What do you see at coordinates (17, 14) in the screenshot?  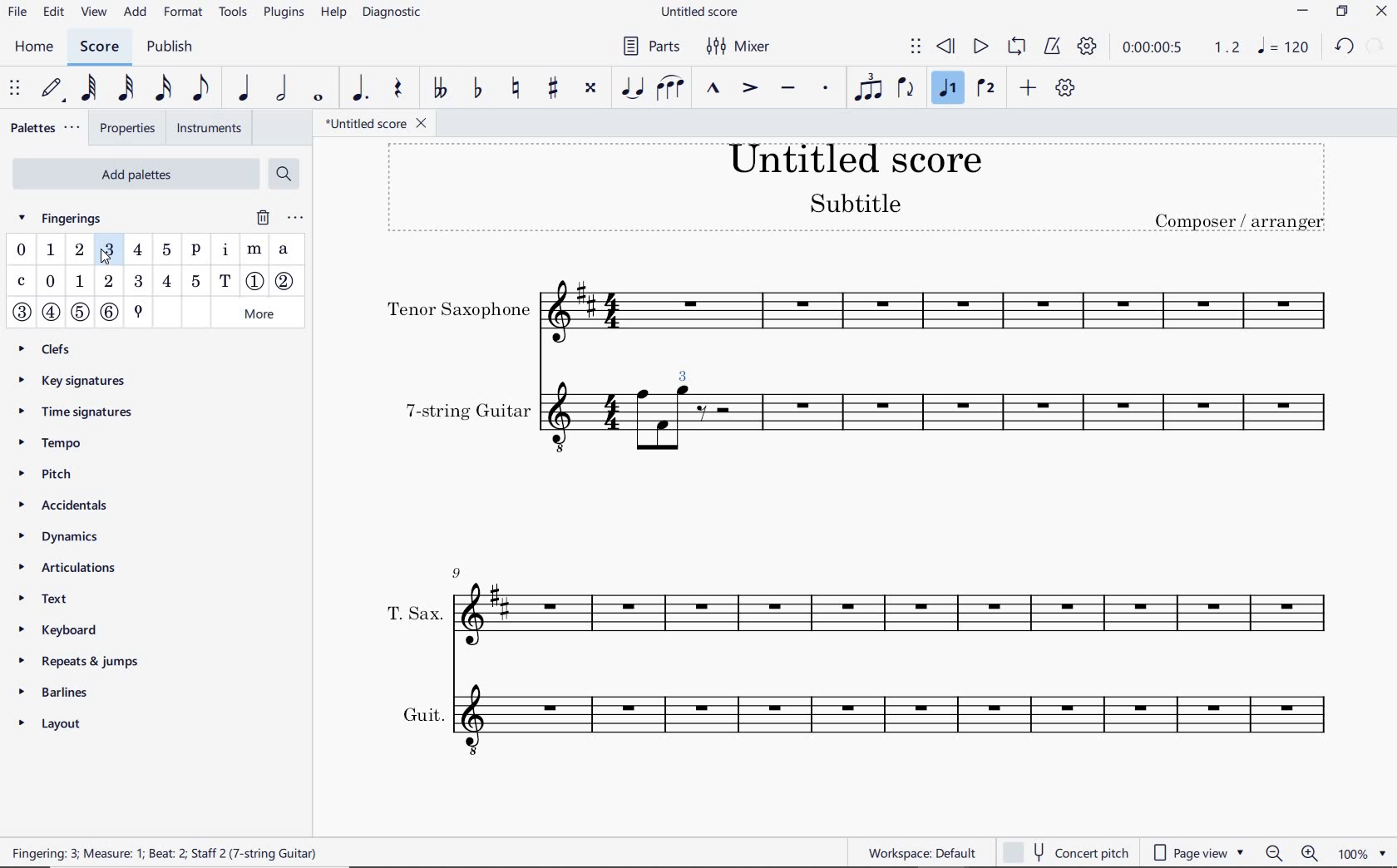 I see `FILE` at bounding box center [17, 14].